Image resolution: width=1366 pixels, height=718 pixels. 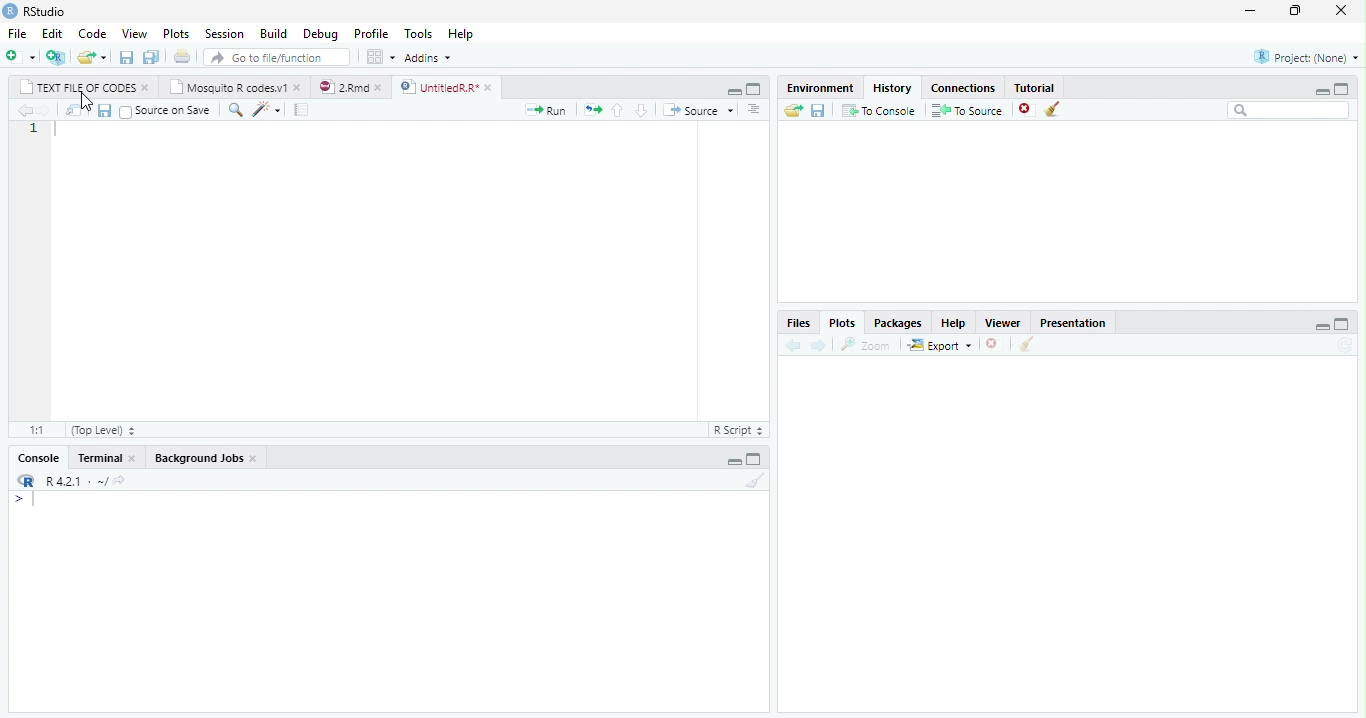 I want to click on save current document, so click(x=126, y=57).